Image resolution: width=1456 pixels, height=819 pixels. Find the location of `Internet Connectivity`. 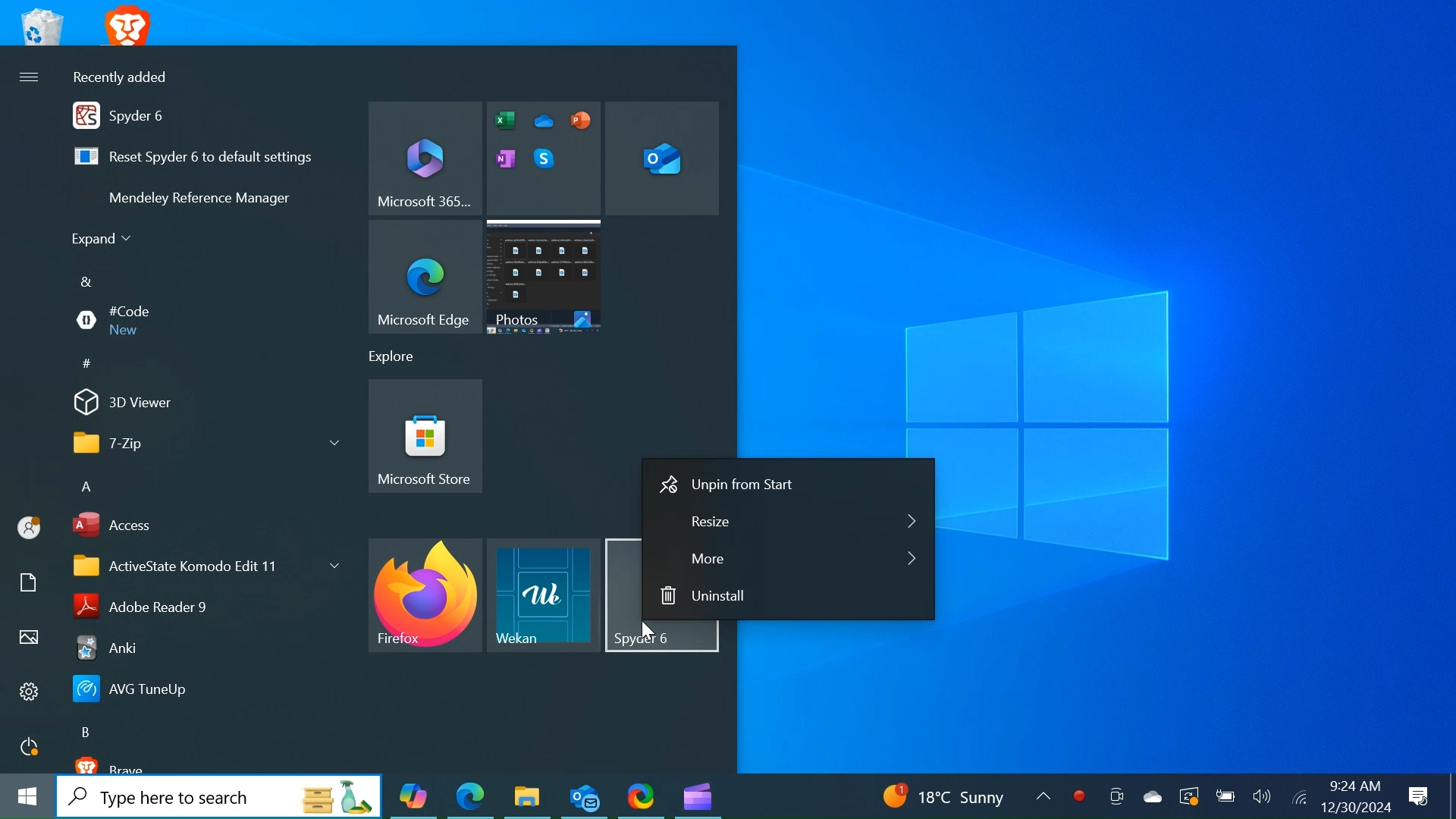

Internet Connectivity is located at coordinates (1299, 796).